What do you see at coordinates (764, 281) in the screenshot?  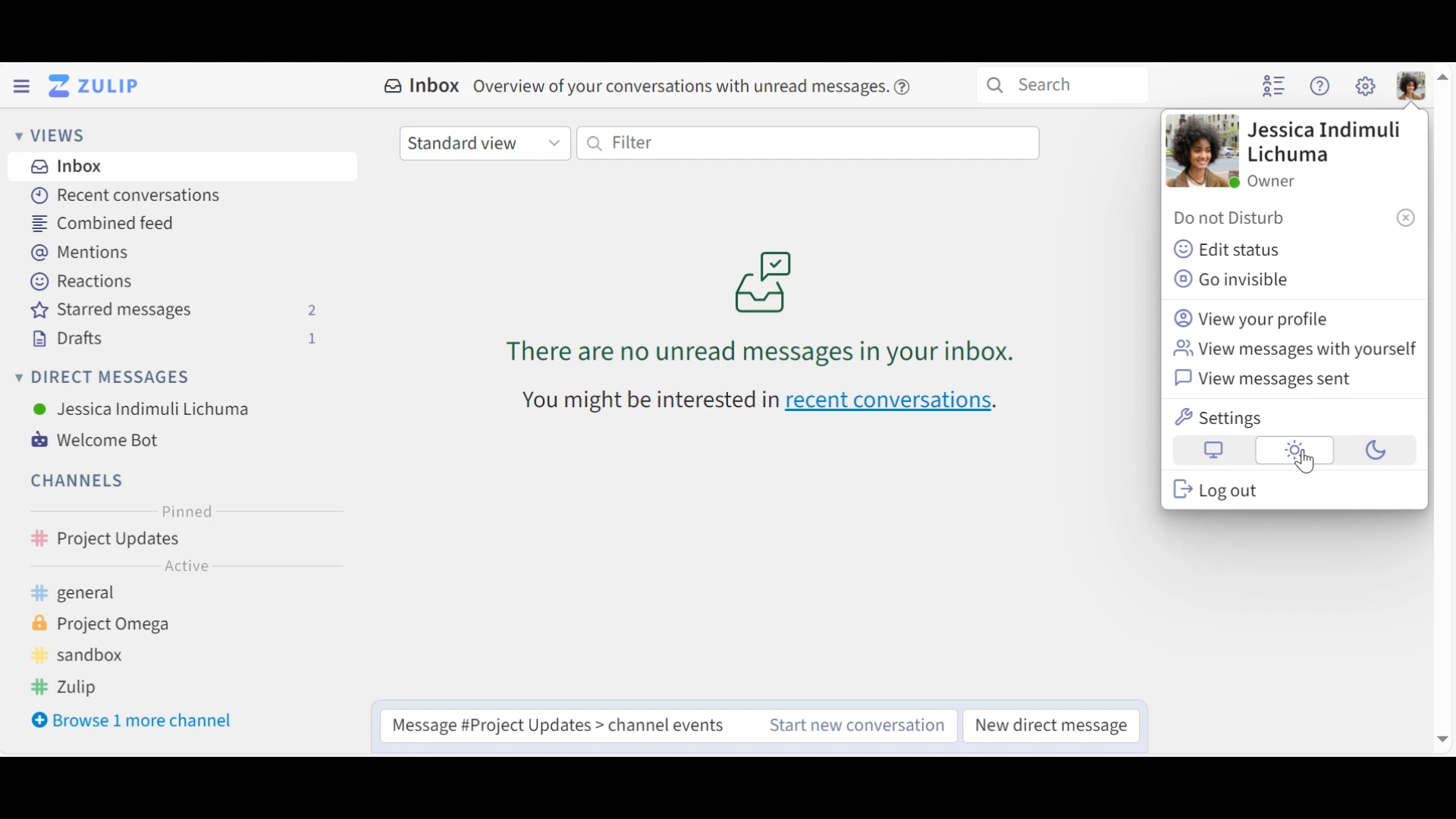 I see `inbox logo` at bounding box center [764, 281].